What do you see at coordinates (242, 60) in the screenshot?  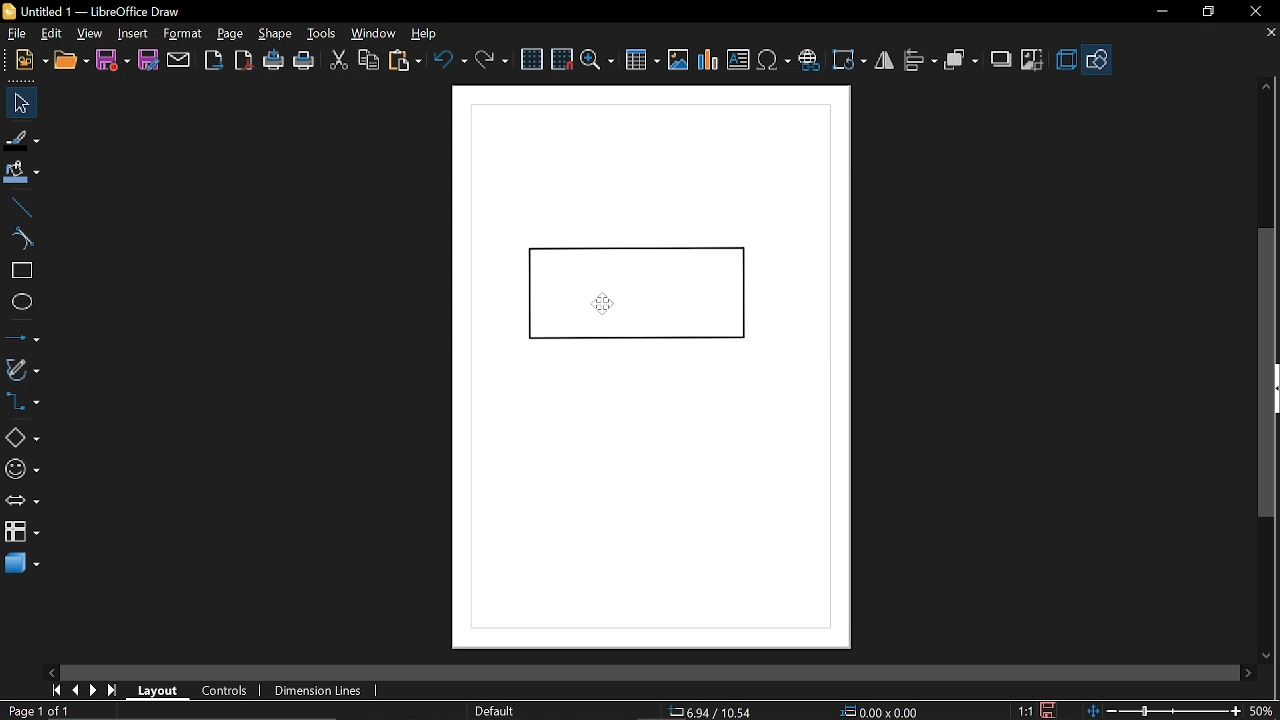 I see `export as pdf` at bounding box center [242, 60].